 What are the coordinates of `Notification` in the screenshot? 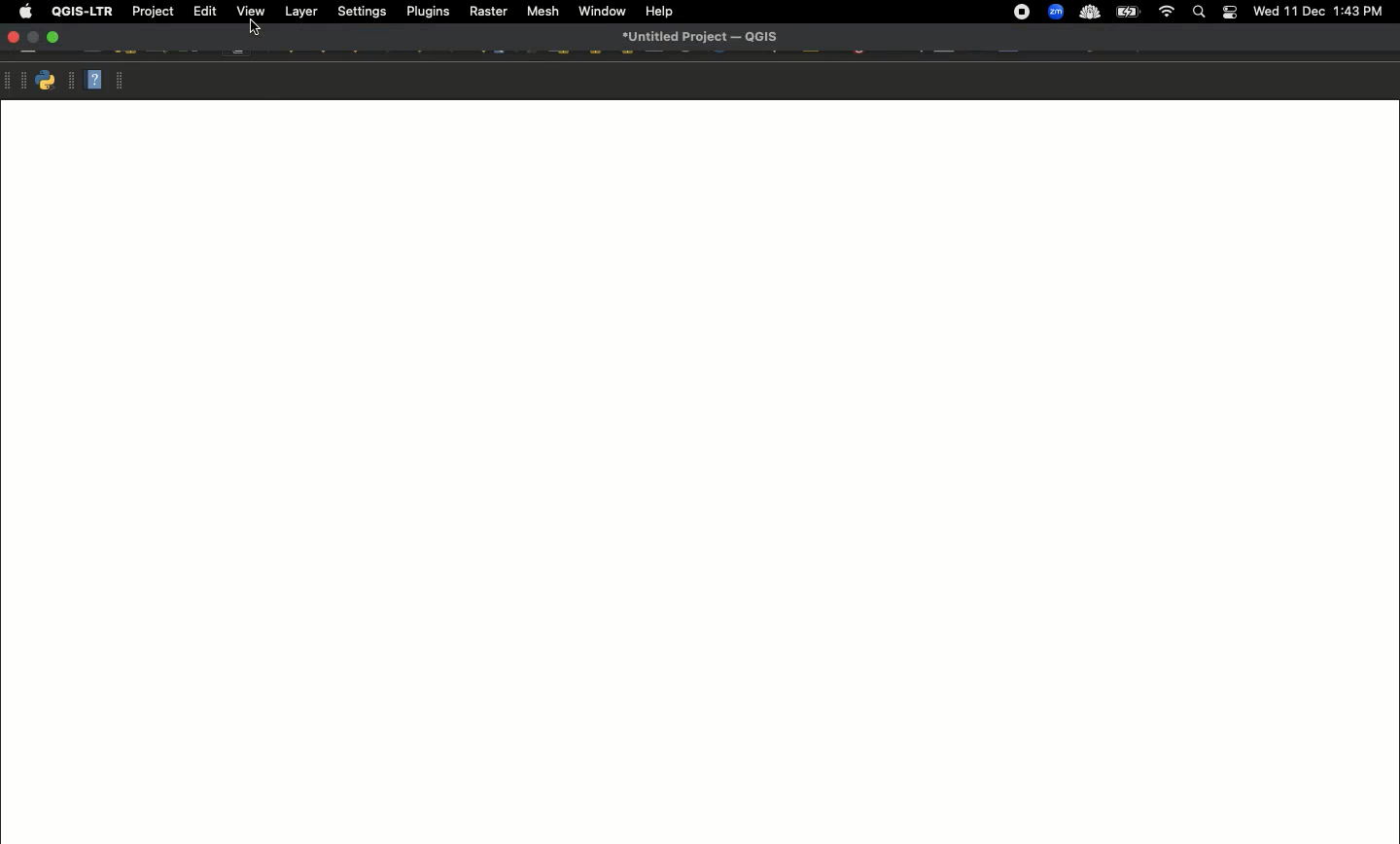 It's located at (1227, 13).